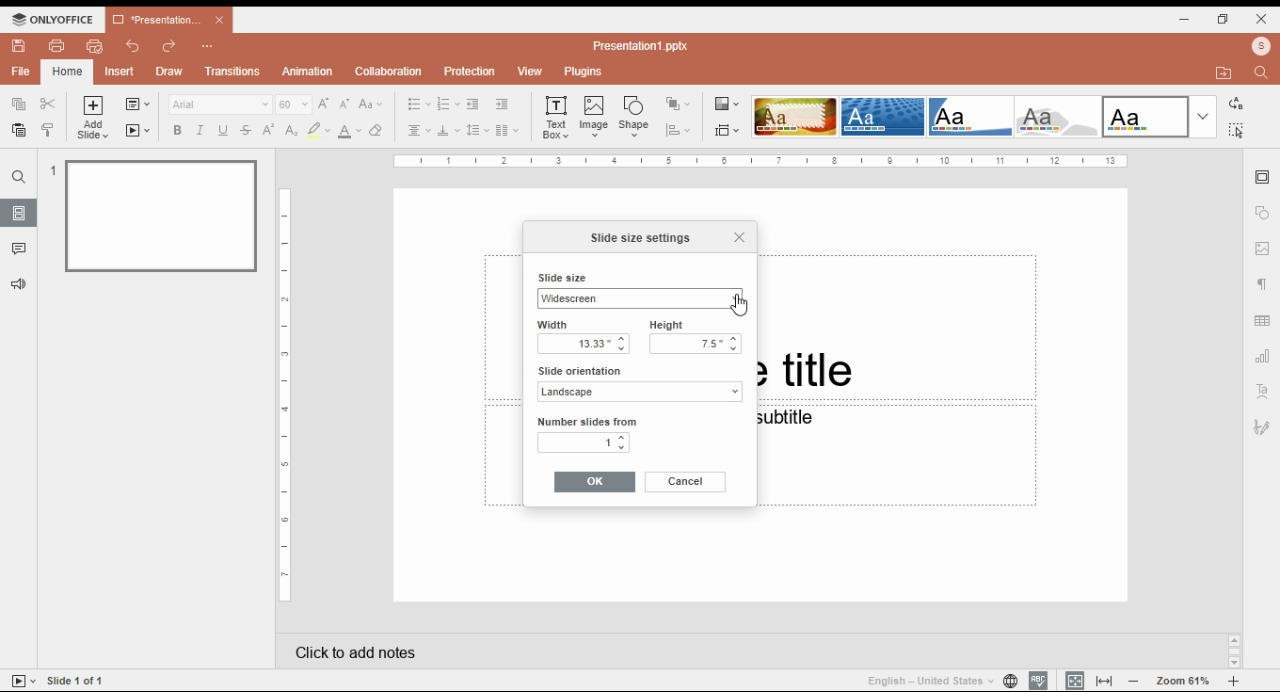  What do you see at coordinates (388, 71) in the screenshot?
I see `collaboration` at bounding box center [388, 71].